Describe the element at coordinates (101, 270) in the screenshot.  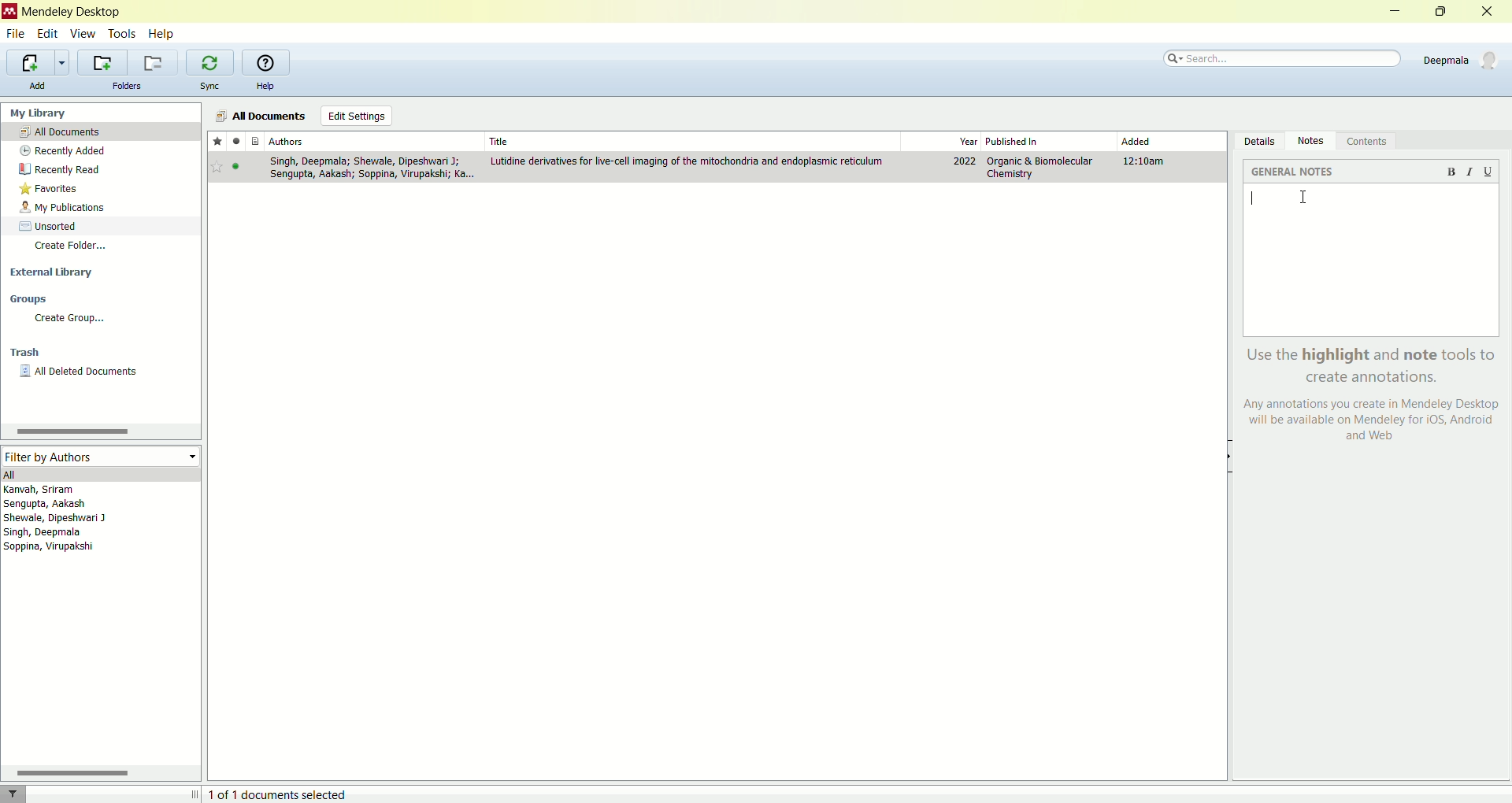
I see `external libarary` at that location.